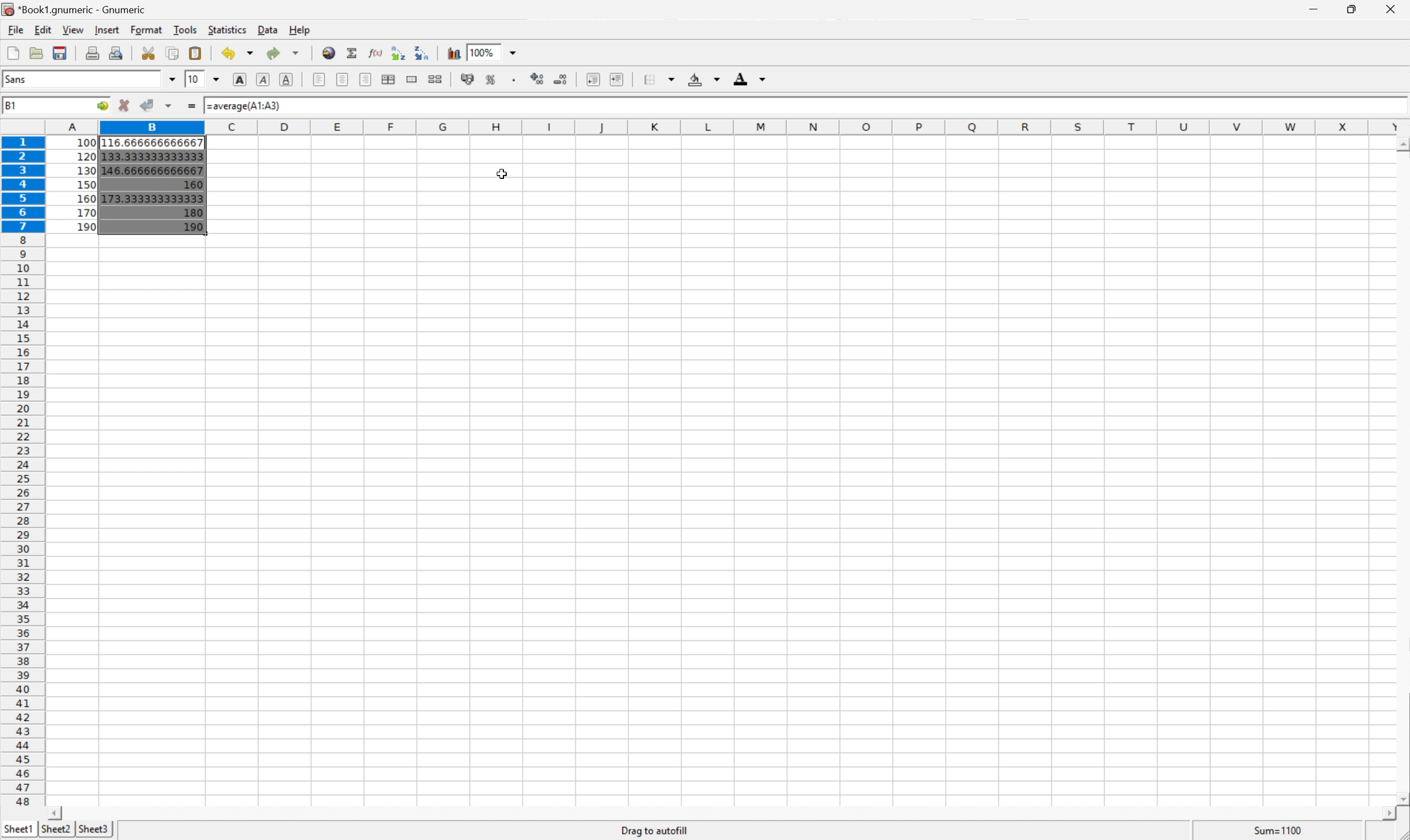 The width and height of the screenshot is (1410, 840). Describe the element at coordinates (1383, 812) in the screenshot. I see `Scroll Right` at that location.